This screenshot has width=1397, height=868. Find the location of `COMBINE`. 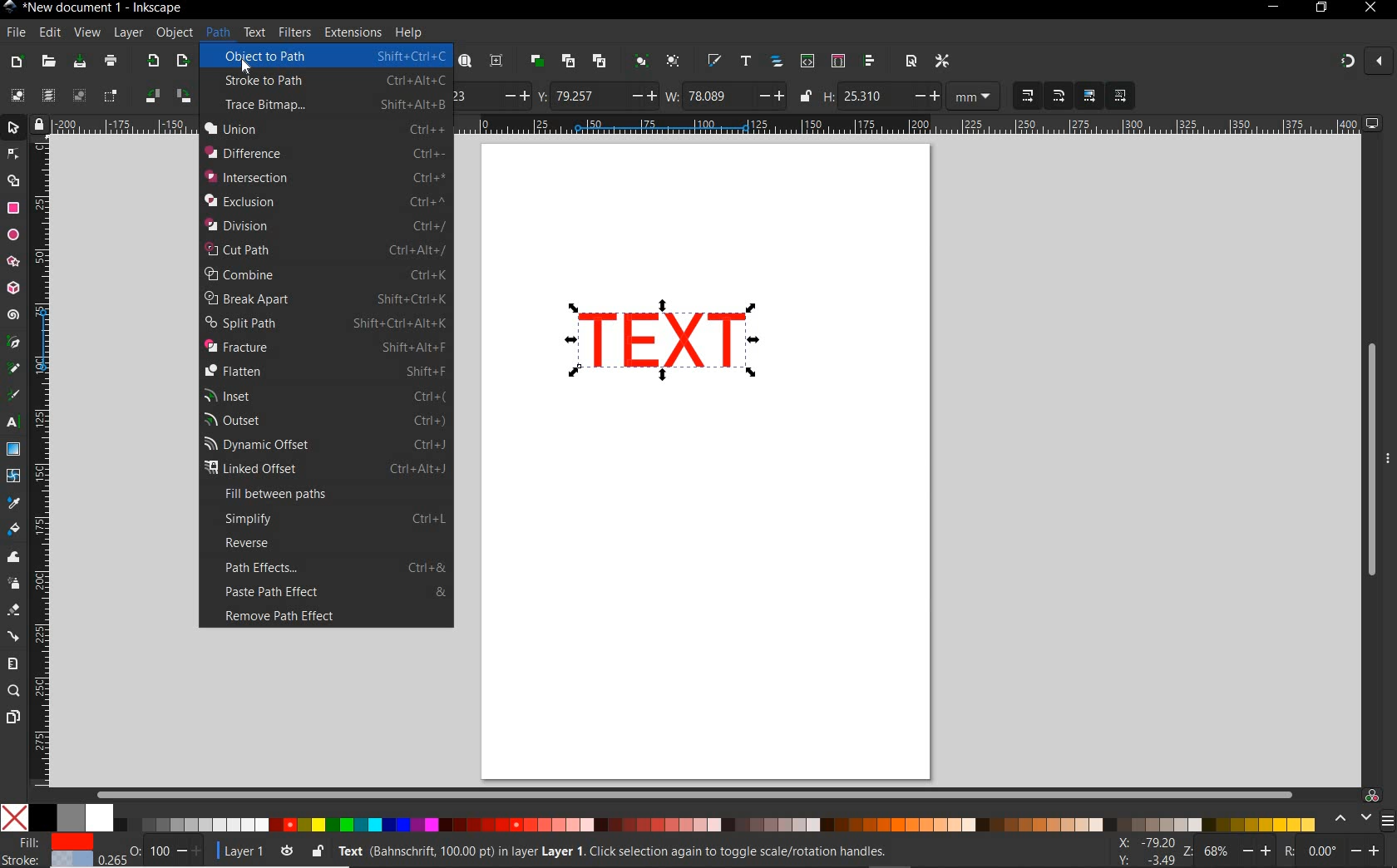

COMBINE is located at coordinates (323, 274).